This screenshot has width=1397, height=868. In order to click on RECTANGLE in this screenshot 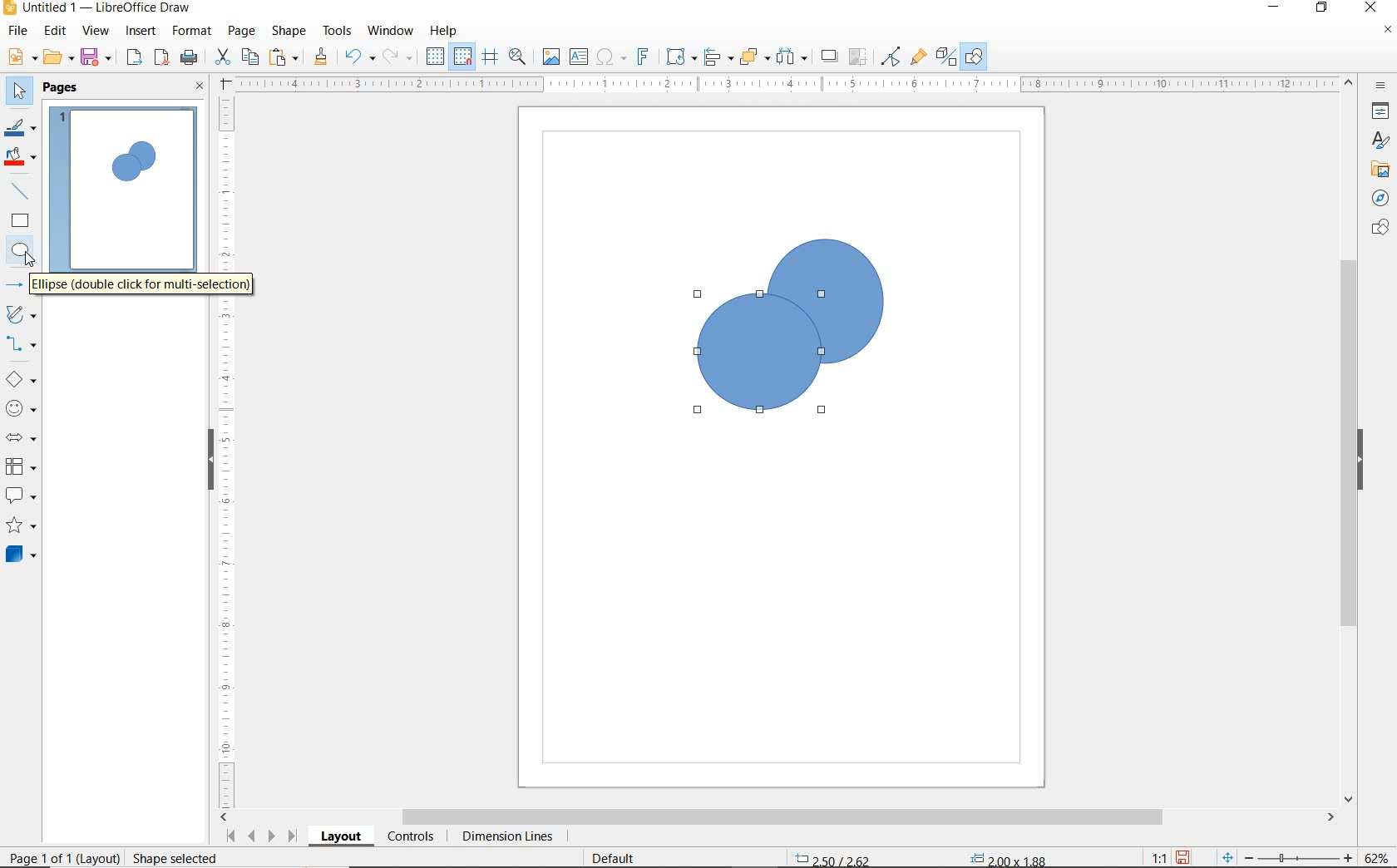, I will do `click(20, 223)`.